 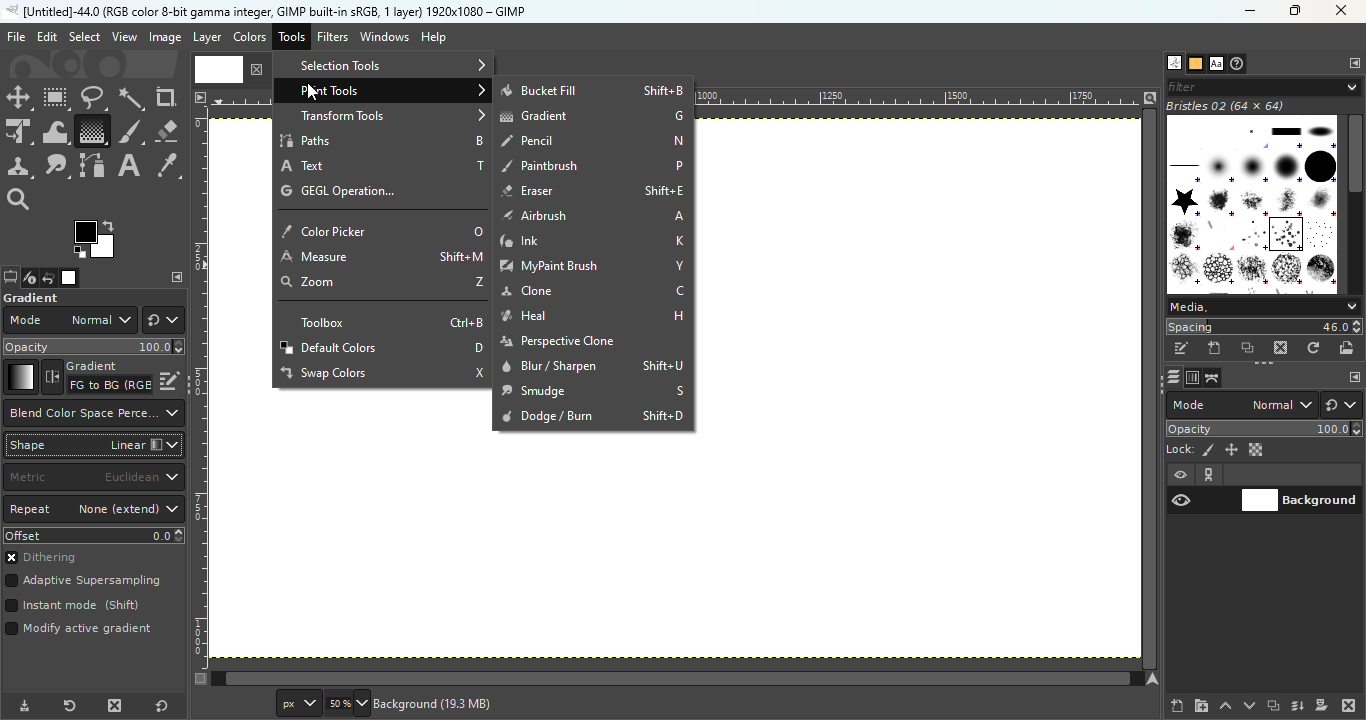 I want to click on Filters, so click(x=333, y=37).